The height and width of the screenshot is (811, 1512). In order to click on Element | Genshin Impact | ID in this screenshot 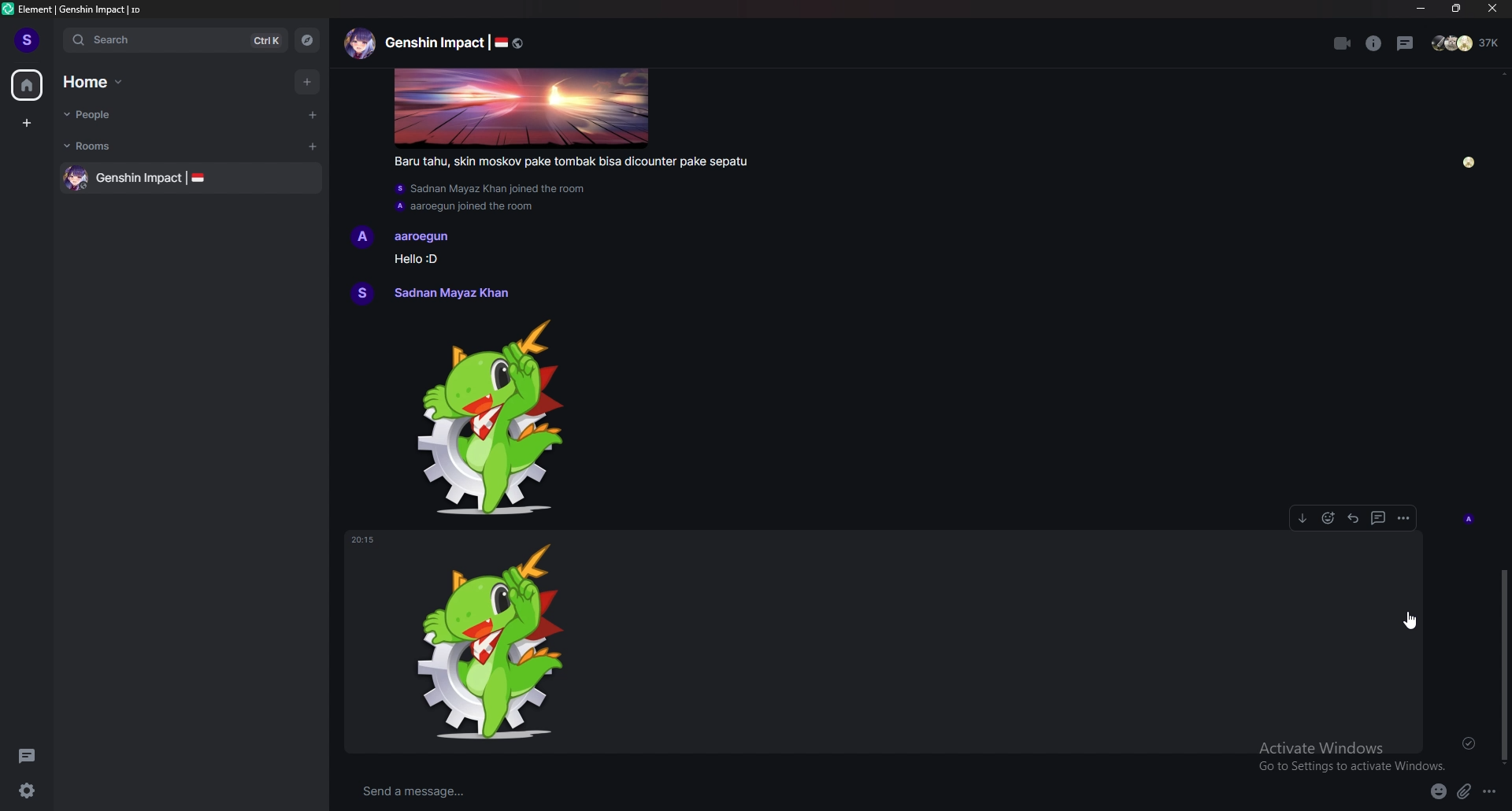, I will do `click(81, 9)`.